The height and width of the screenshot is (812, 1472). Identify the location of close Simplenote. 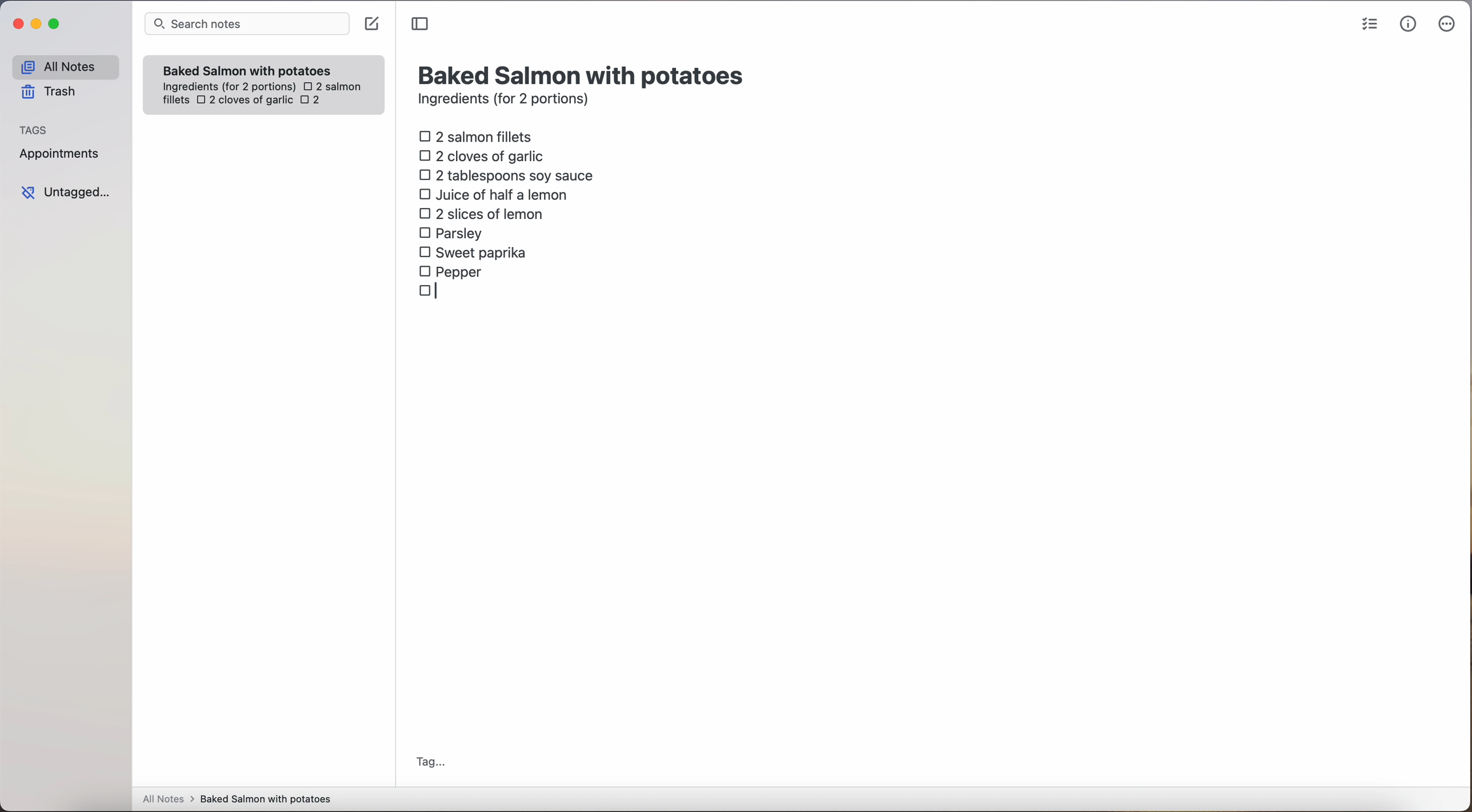
(17, 25).